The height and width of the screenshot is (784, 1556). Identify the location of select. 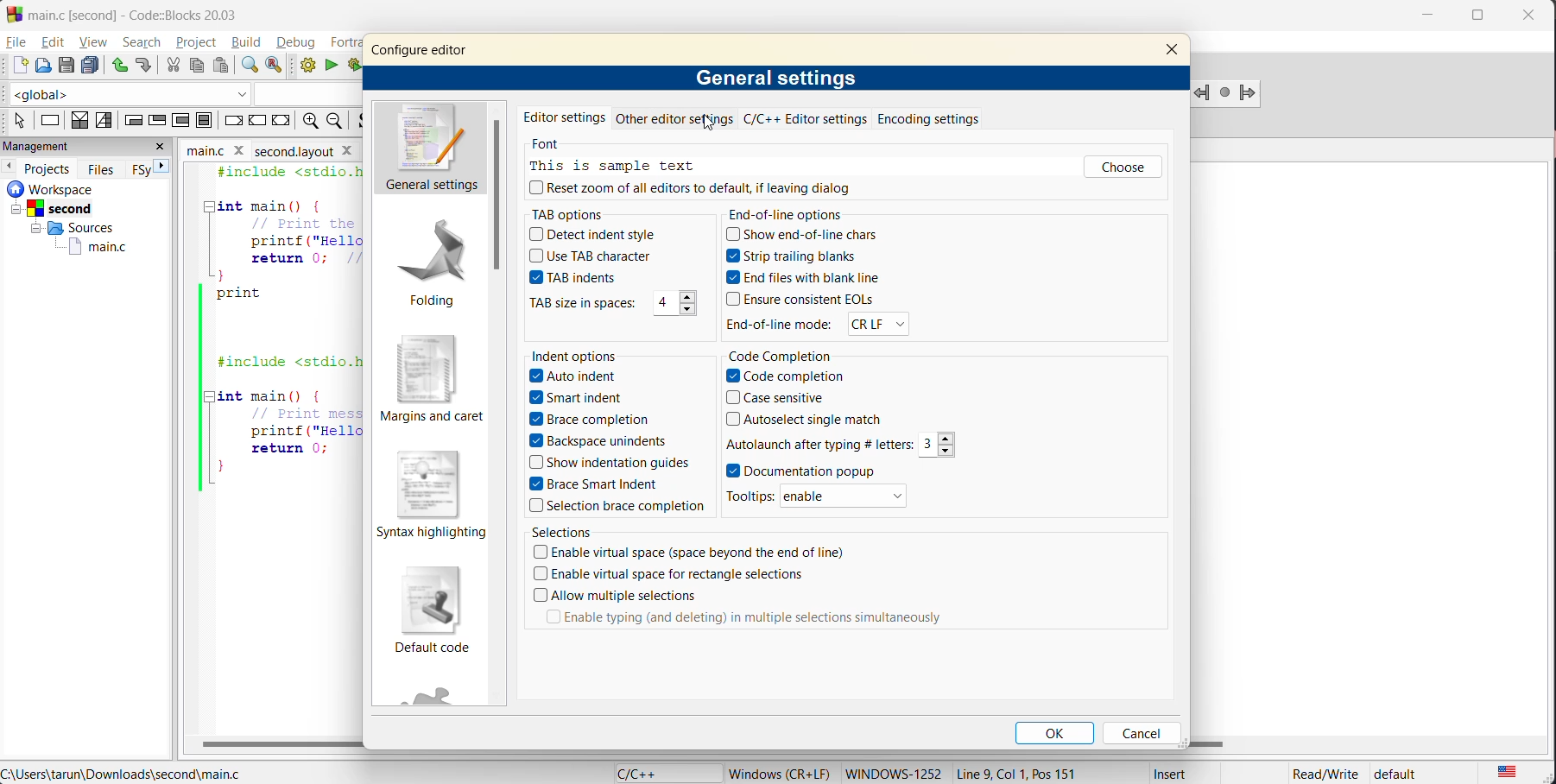
(16, 122).